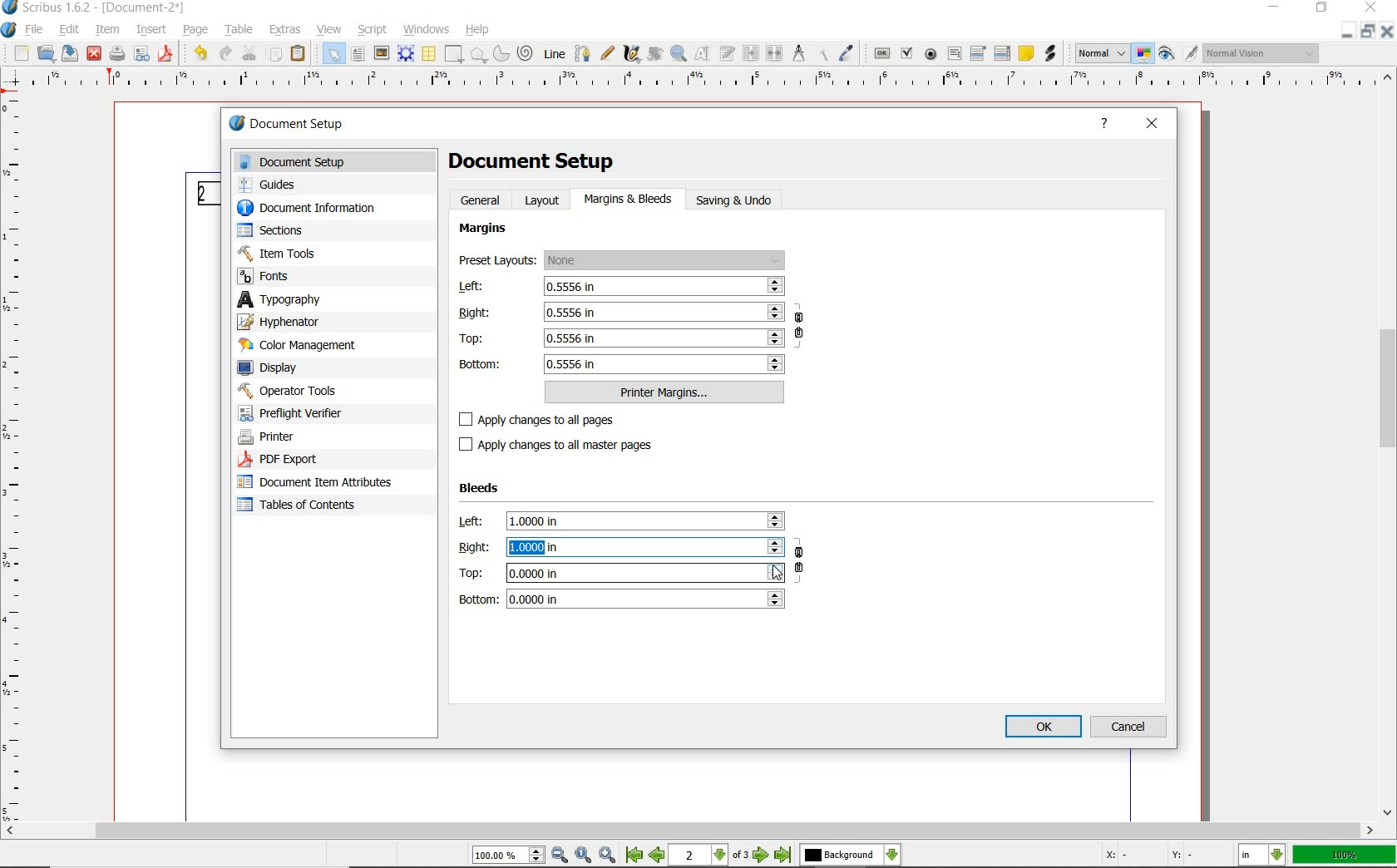 This screenshot has height=868, width=1397. I want to click on visual appearance of the display, so click(1263, 53).